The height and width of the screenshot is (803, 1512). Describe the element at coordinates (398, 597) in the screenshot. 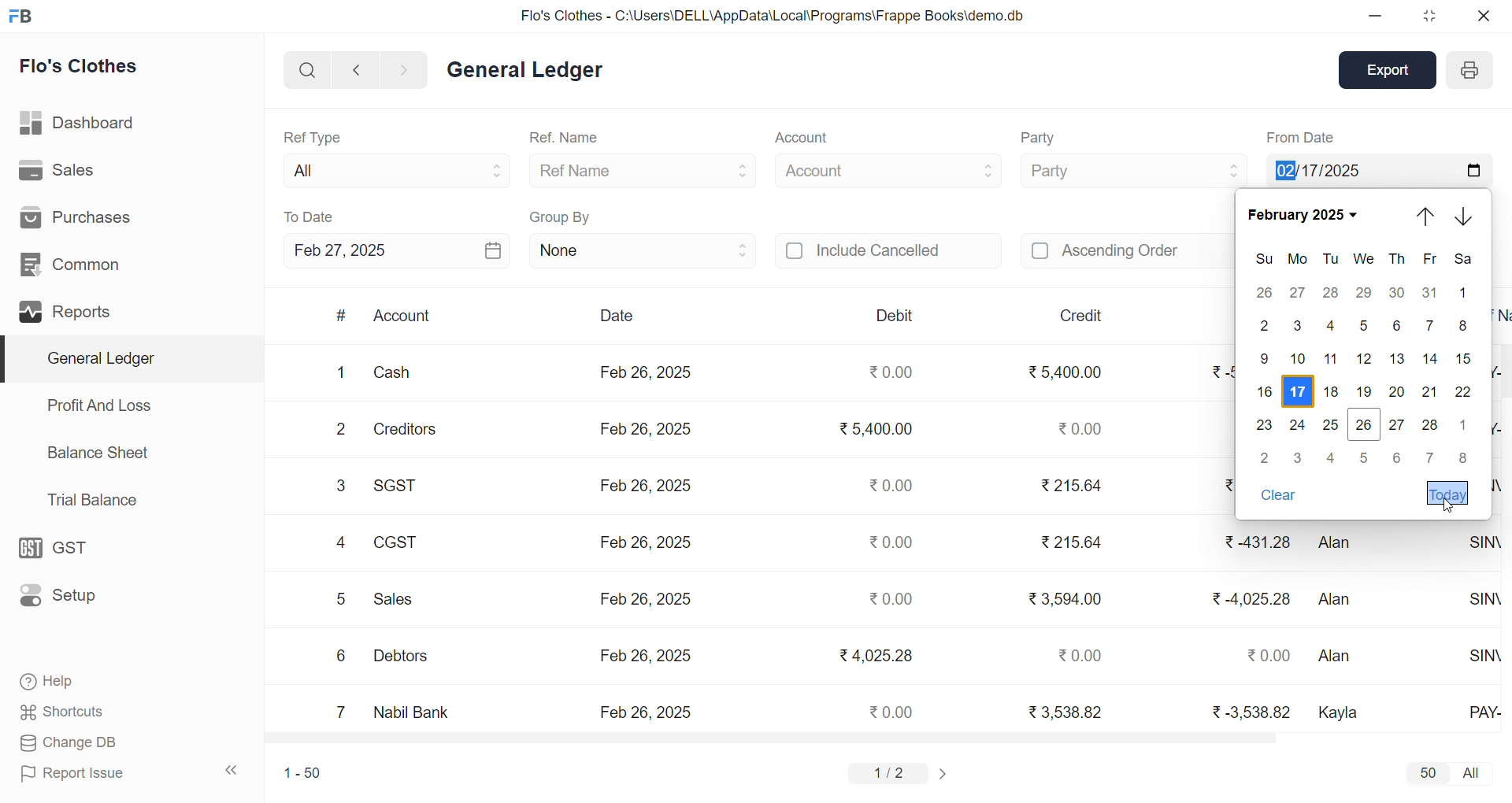

I see `Sales` at that location.